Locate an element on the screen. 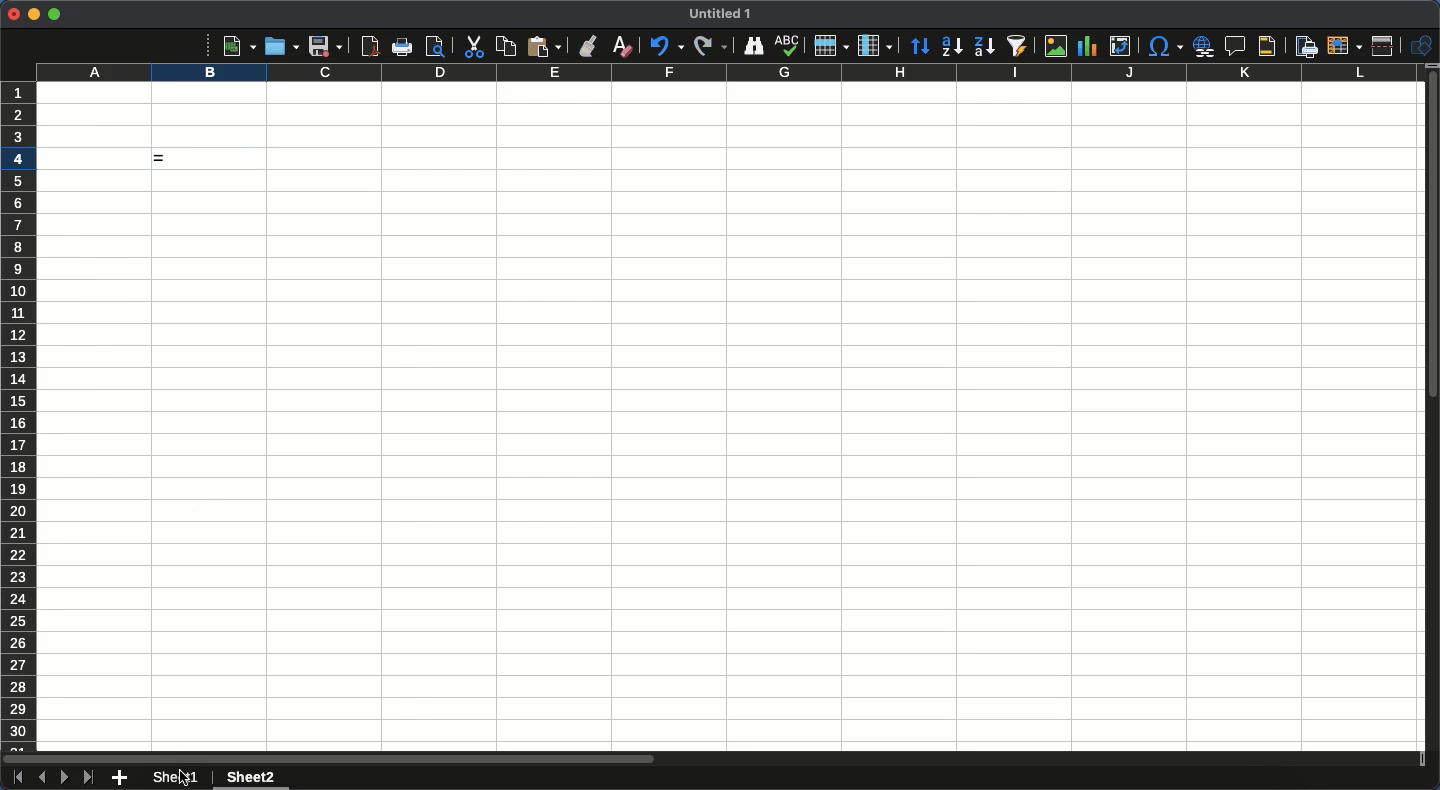 The width and height of the screenshot is (1440, 790). Undo is located at coordinates (665, 45).